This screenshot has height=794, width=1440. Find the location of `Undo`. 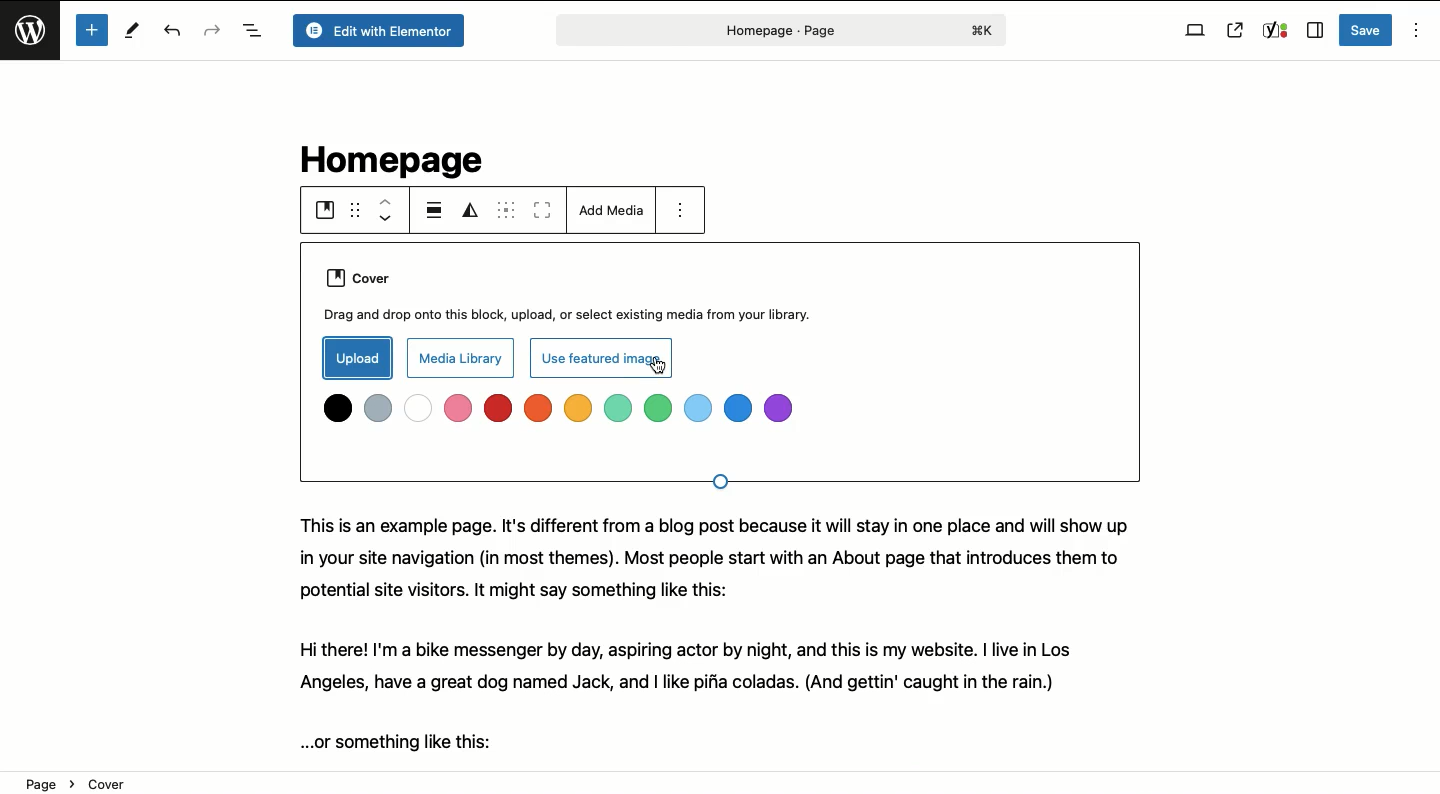

Undo is located at coordinates (175, 32).